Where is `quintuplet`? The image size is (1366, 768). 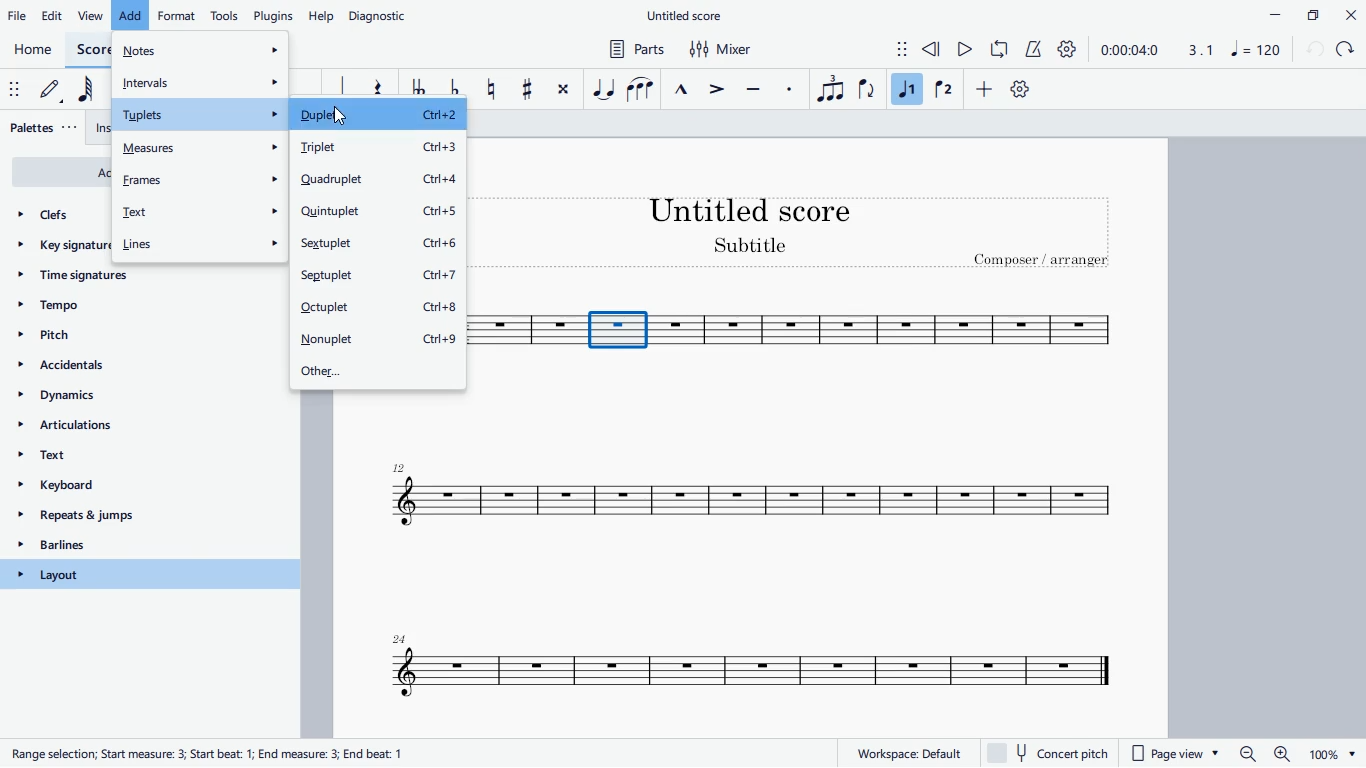
quintuplet is located at coordinates (377, 213).